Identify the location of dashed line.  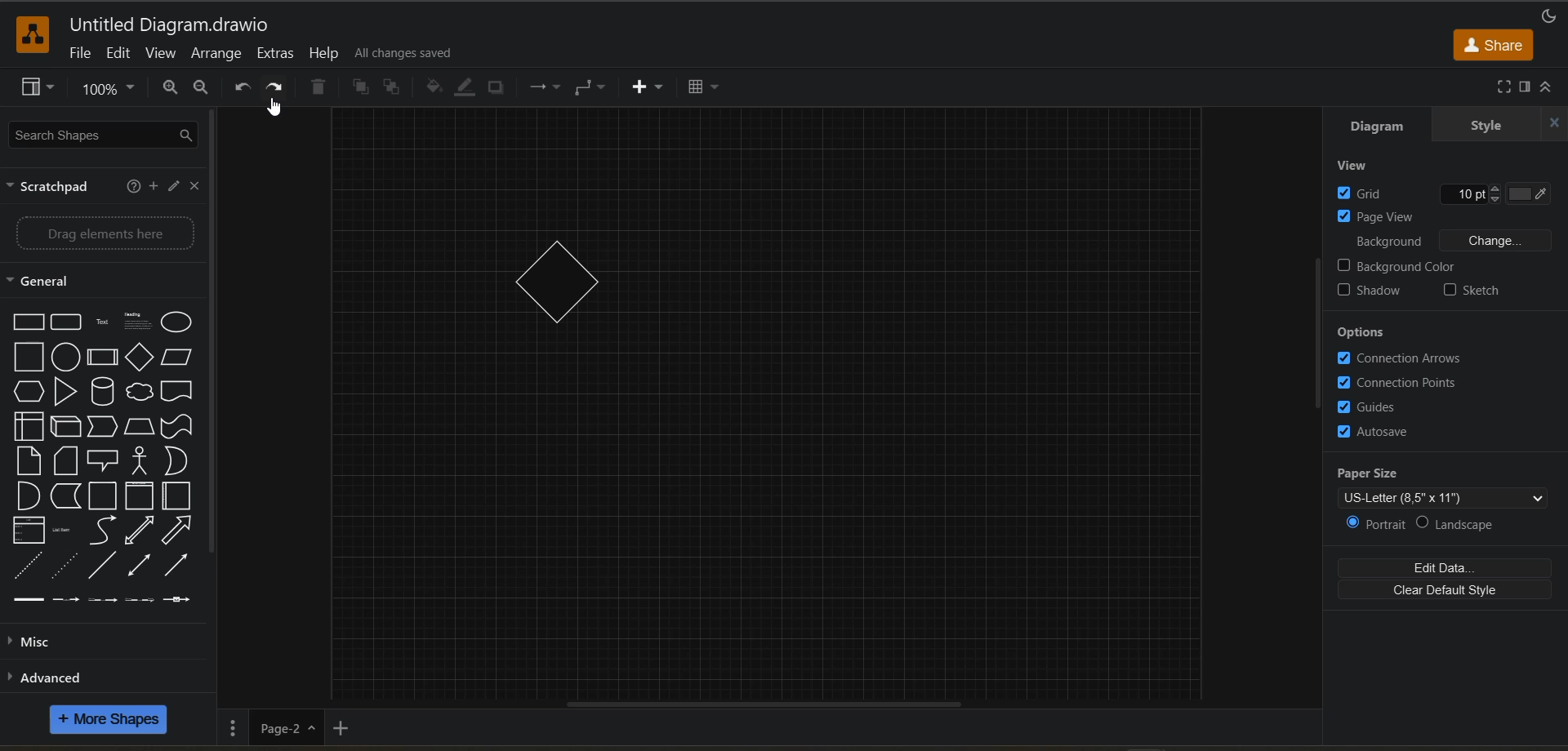
(27, 567).